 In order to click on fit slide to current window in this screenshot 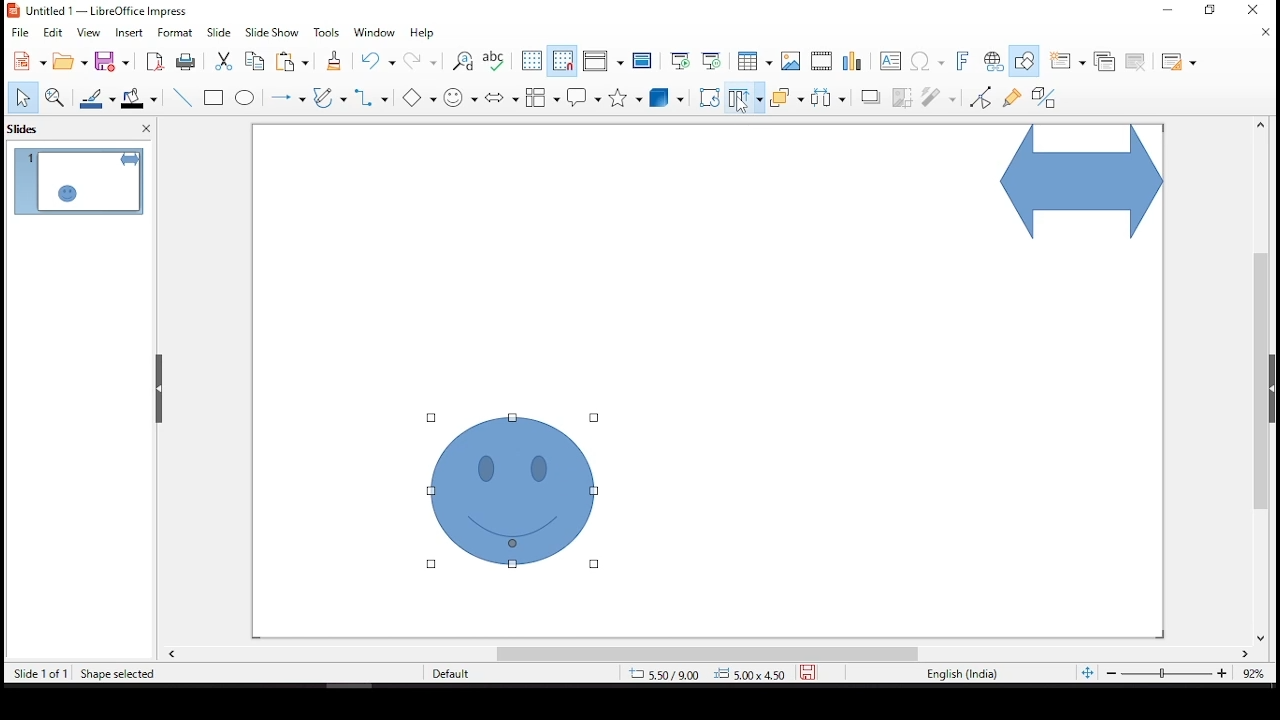, I will do `click(1087, 672)`.